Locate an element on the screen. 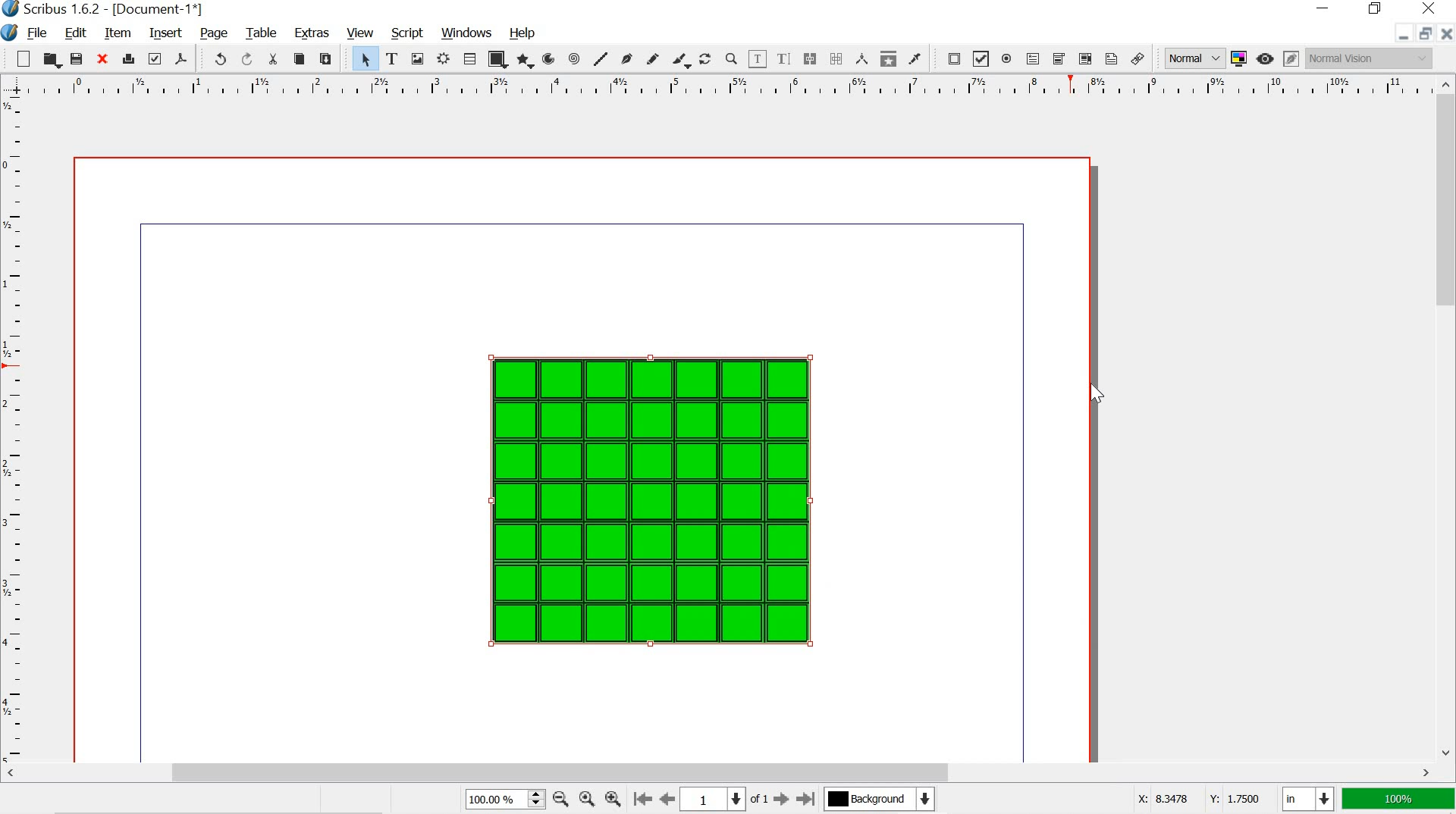 This screenshot has width=1456, height=814. image frame is located at coordinates (417, 58).